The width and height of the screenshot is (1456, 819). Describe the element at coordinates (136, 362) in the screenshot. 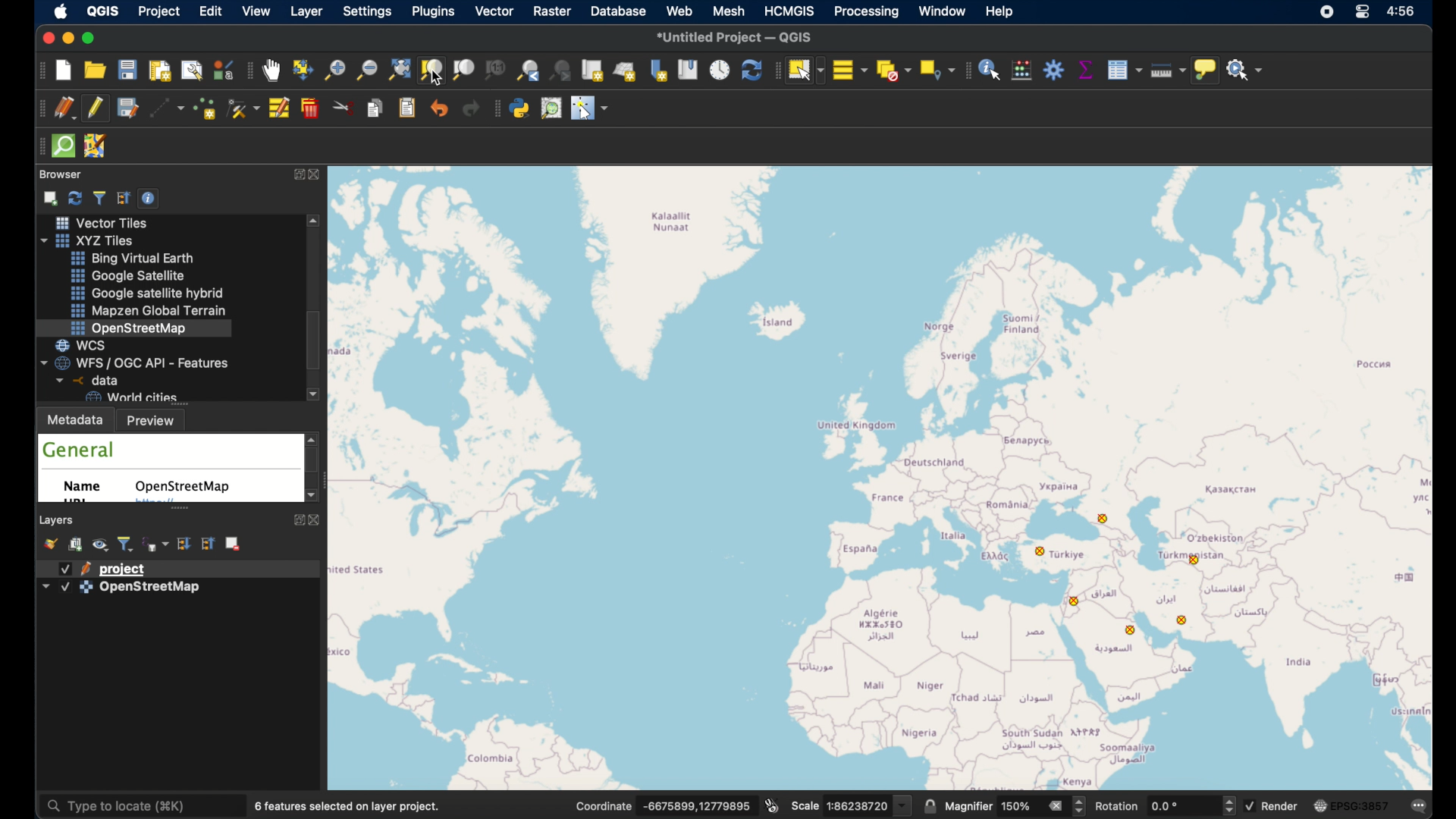

I see `wfs/ogcapi - features` at that location.